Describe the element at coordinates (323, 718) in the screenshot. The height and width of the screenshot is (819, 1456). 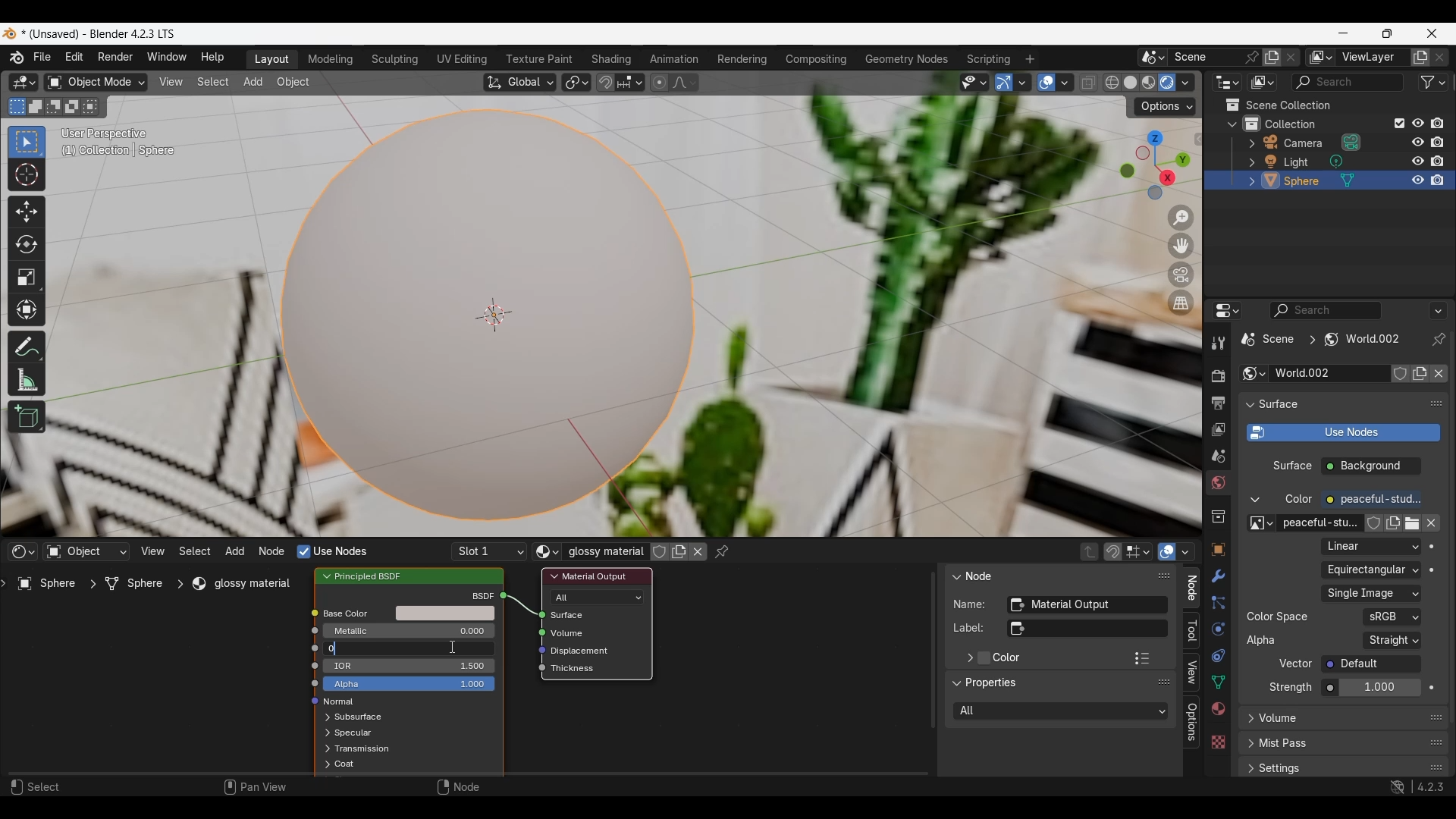
I see `Expand respective options` at that location.